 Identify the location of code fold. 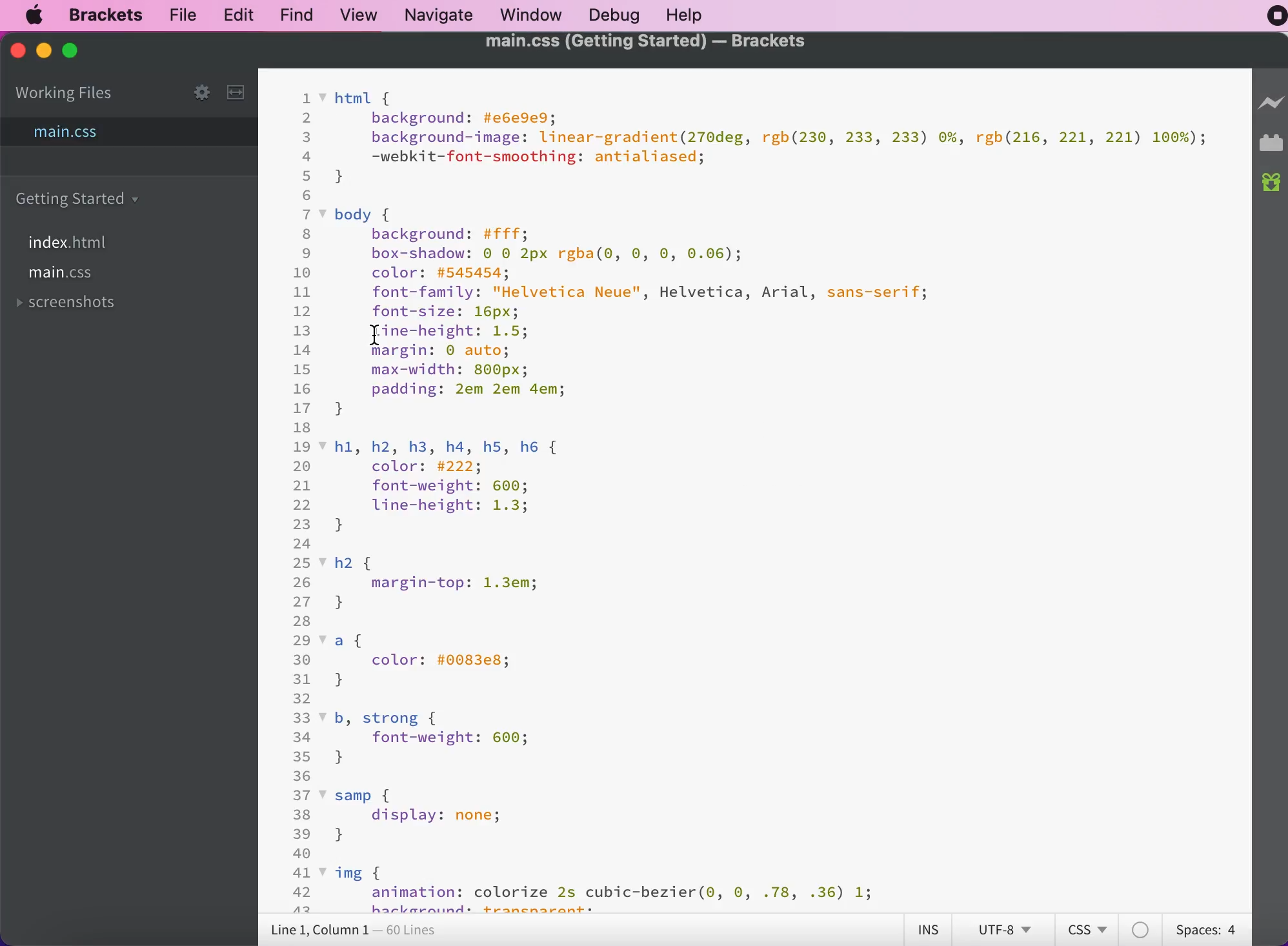
(322, 639).